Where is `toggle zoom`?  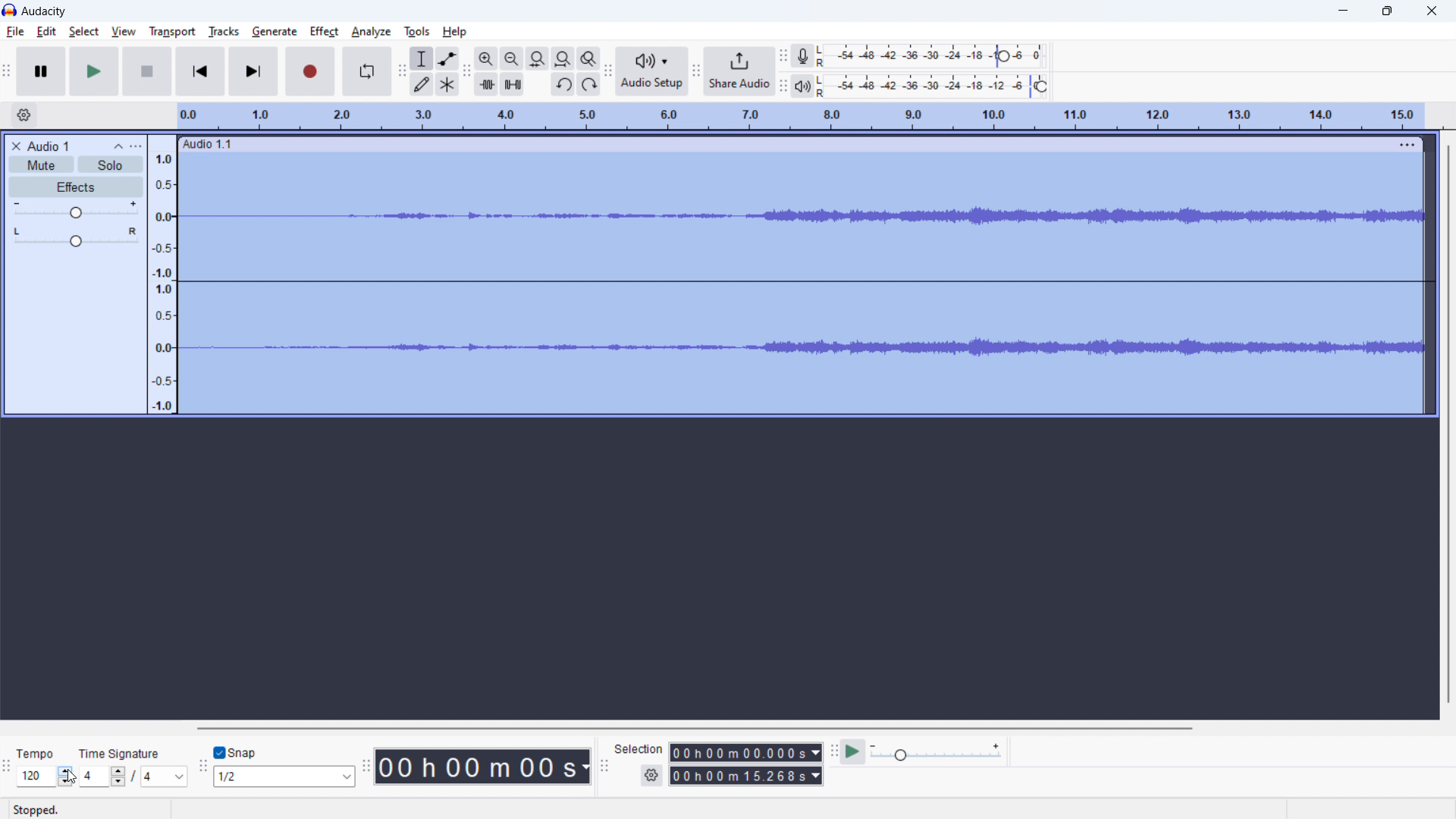
toggle zoom is located at coordinates (588, 58).